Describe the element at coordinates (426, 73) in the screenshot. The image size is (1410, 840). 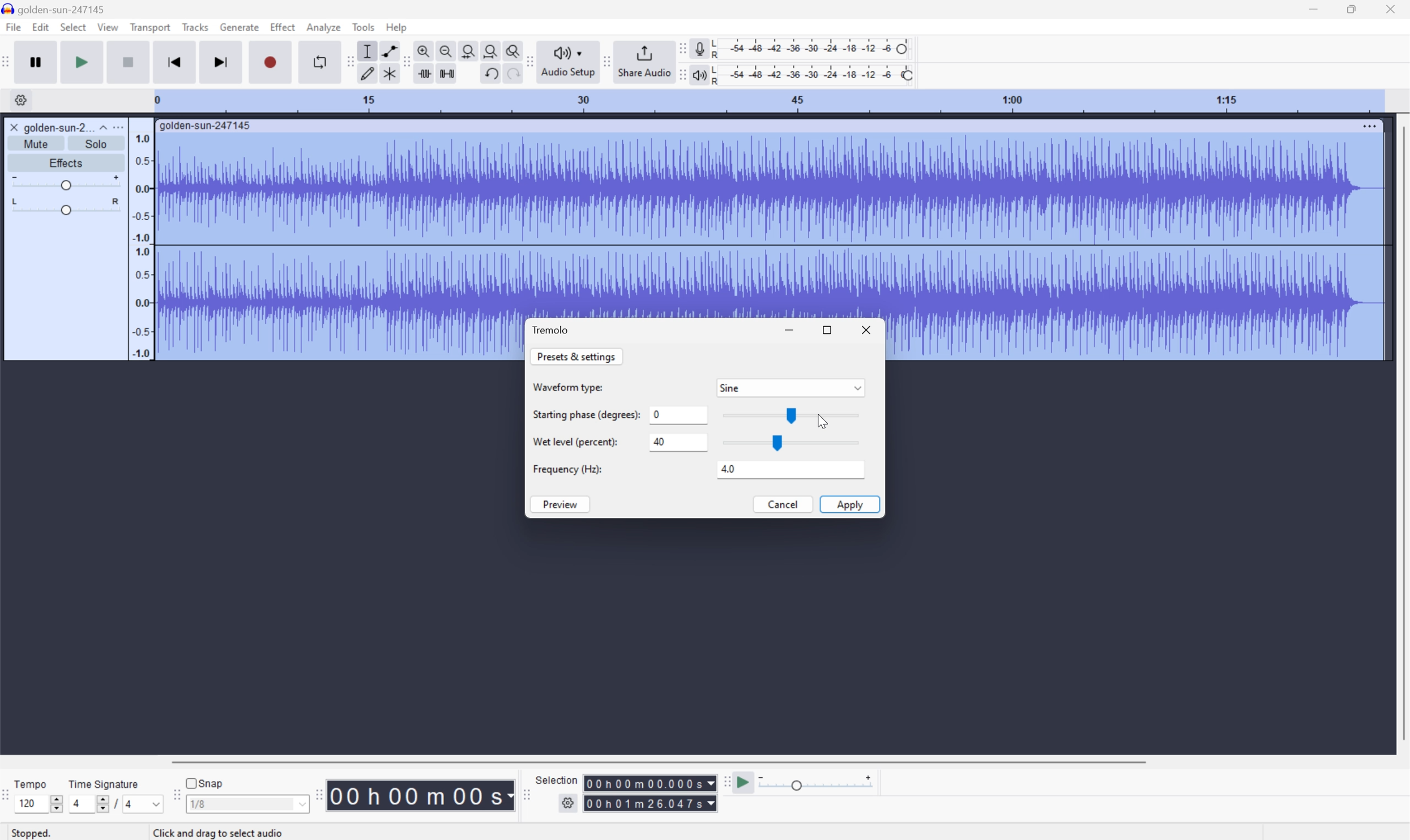
I see `Trim audio outside selection` at that location.